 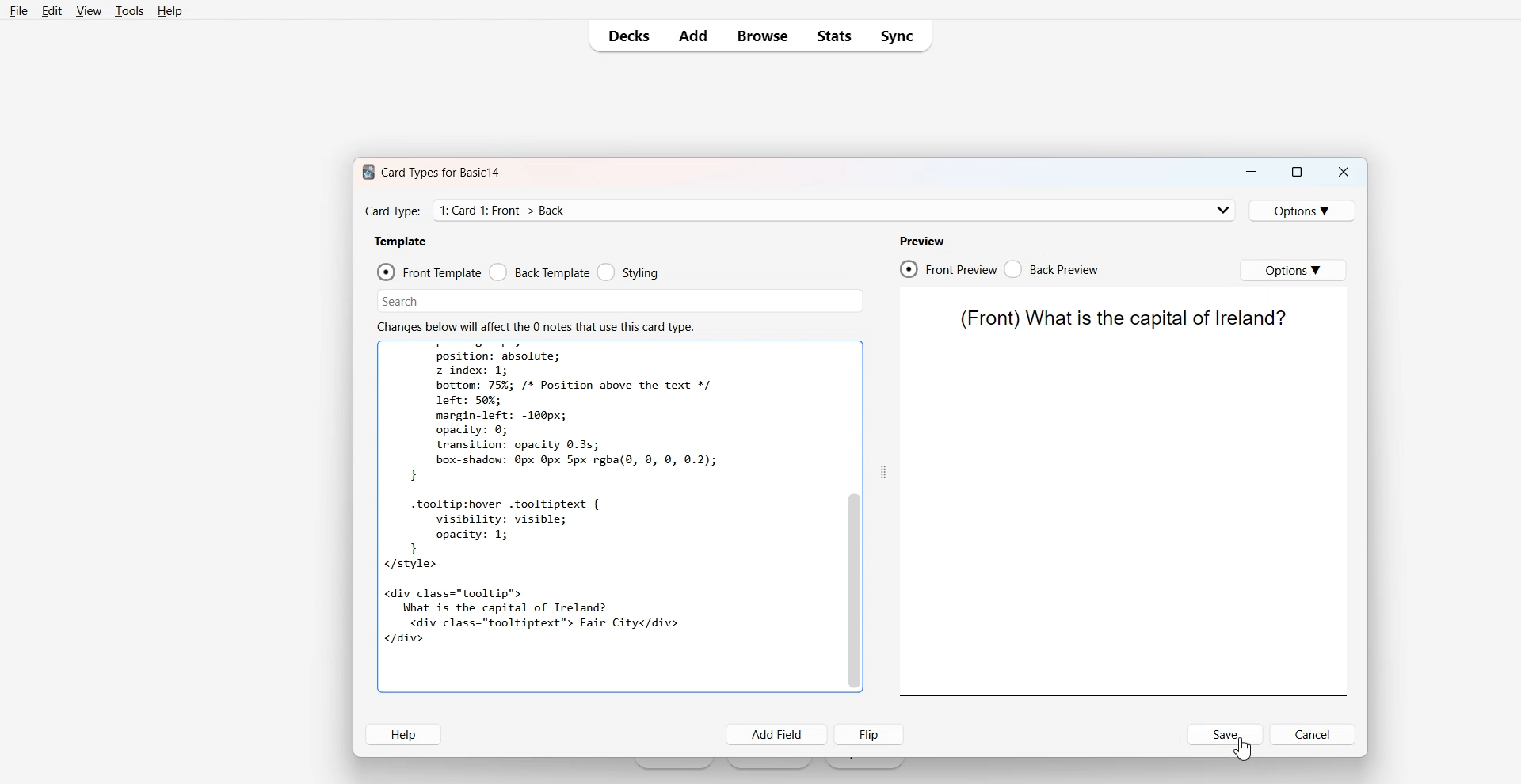 What do you see at coordinates (170, 11) in the screenshot?
I see `Help` at bounding box center [170, 11].